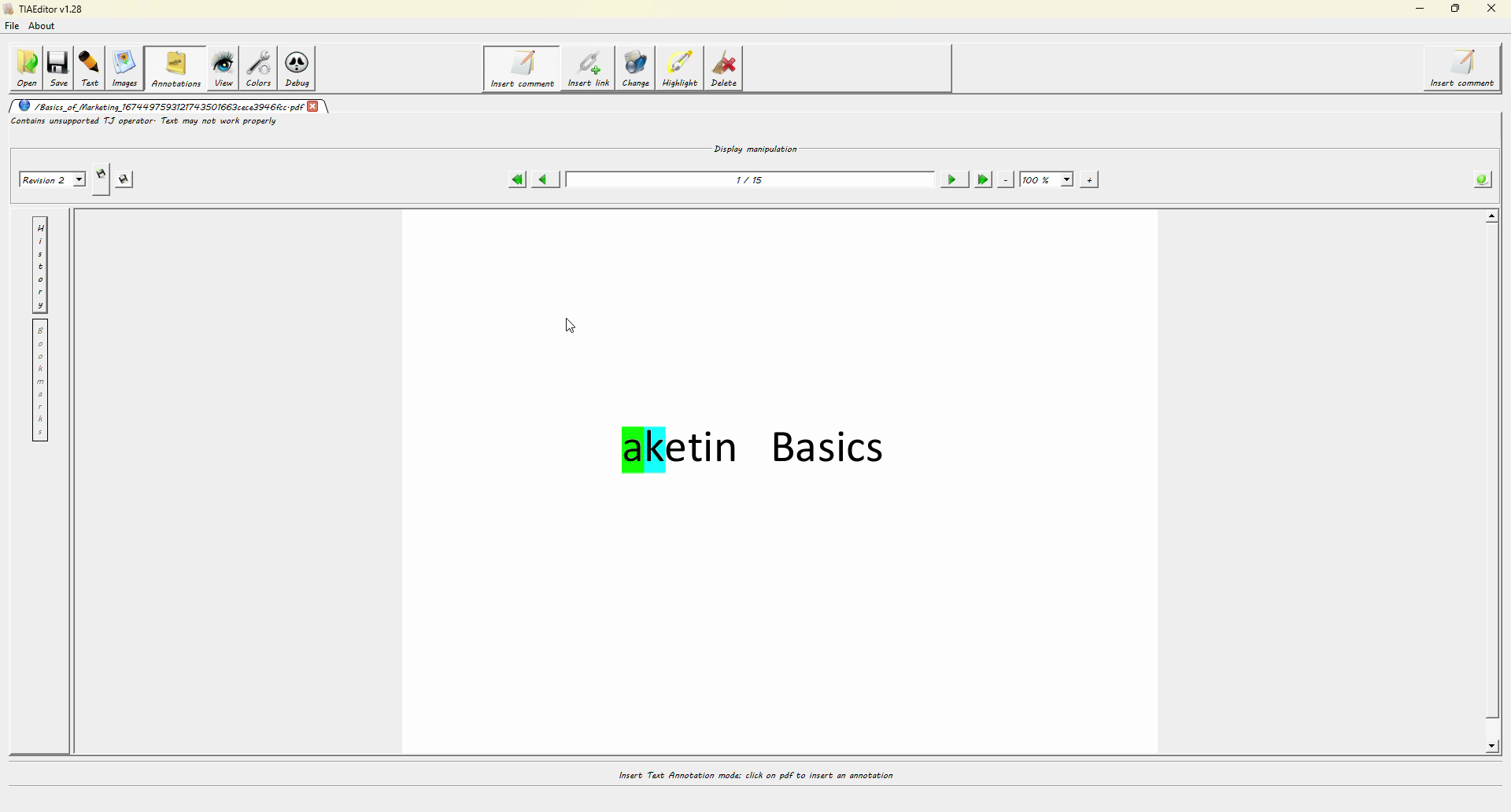 The width and height of the screenshot is (1511, 812). I want to click on scroll down, so click(1487, 747).